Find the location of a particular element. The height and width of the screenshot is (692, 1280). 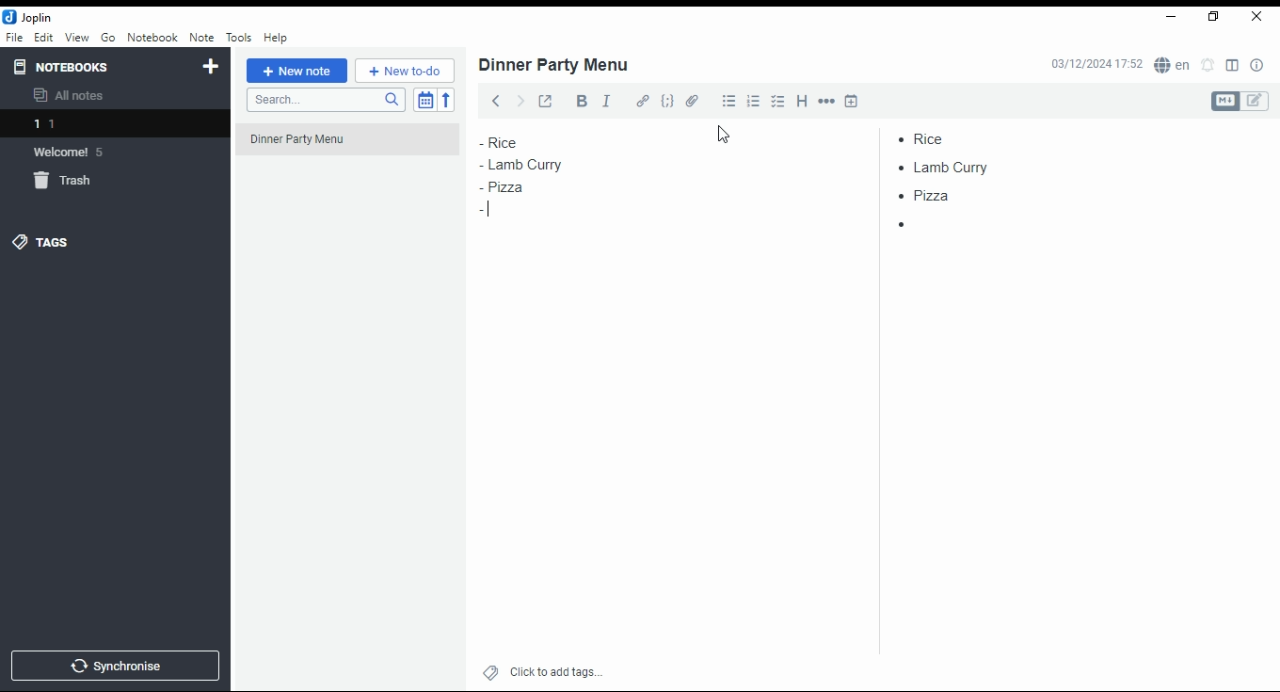

lamb curry is located at coordinates (950, 167).